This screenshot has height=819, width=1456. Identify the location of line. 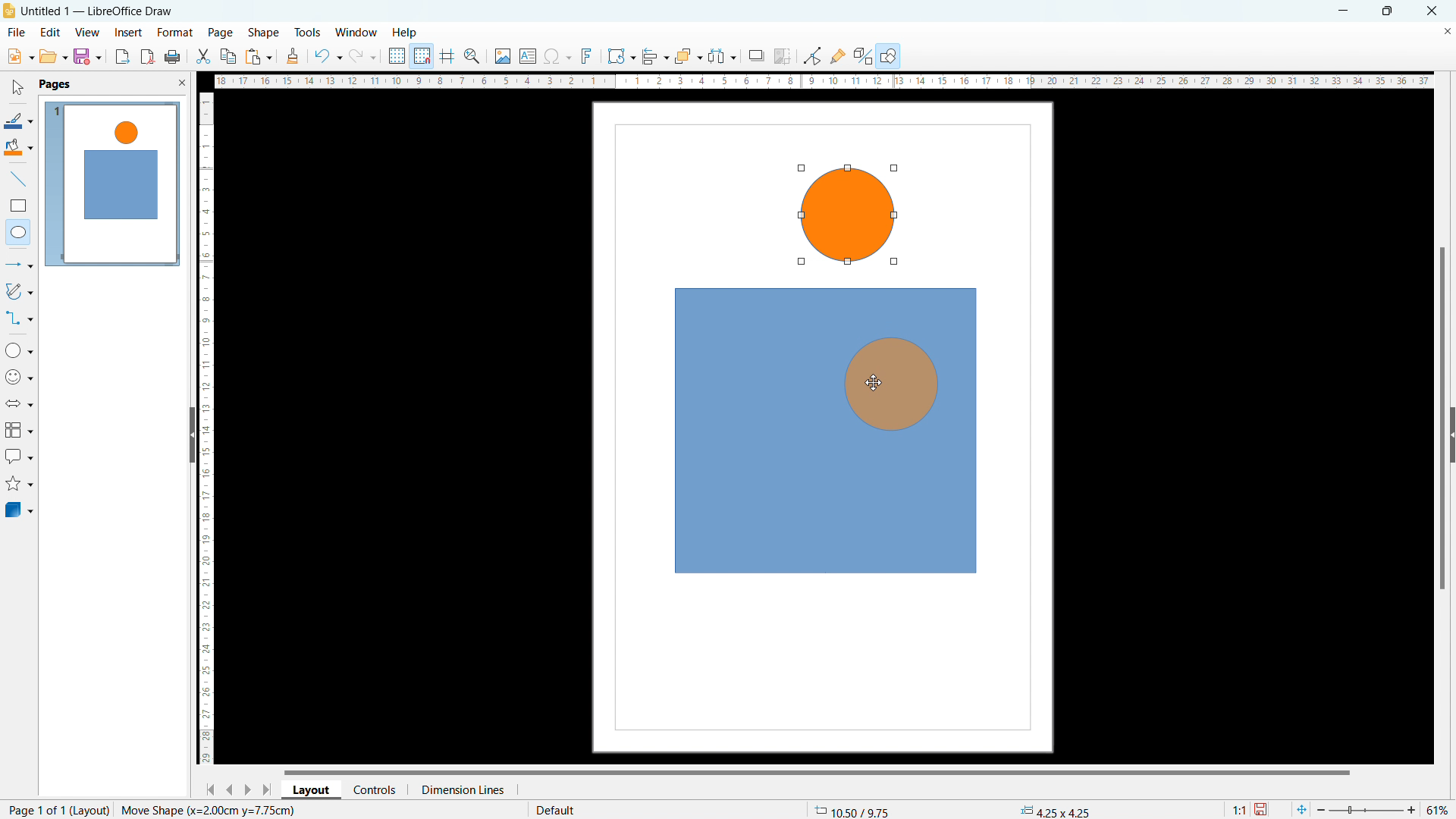
(19, 180).